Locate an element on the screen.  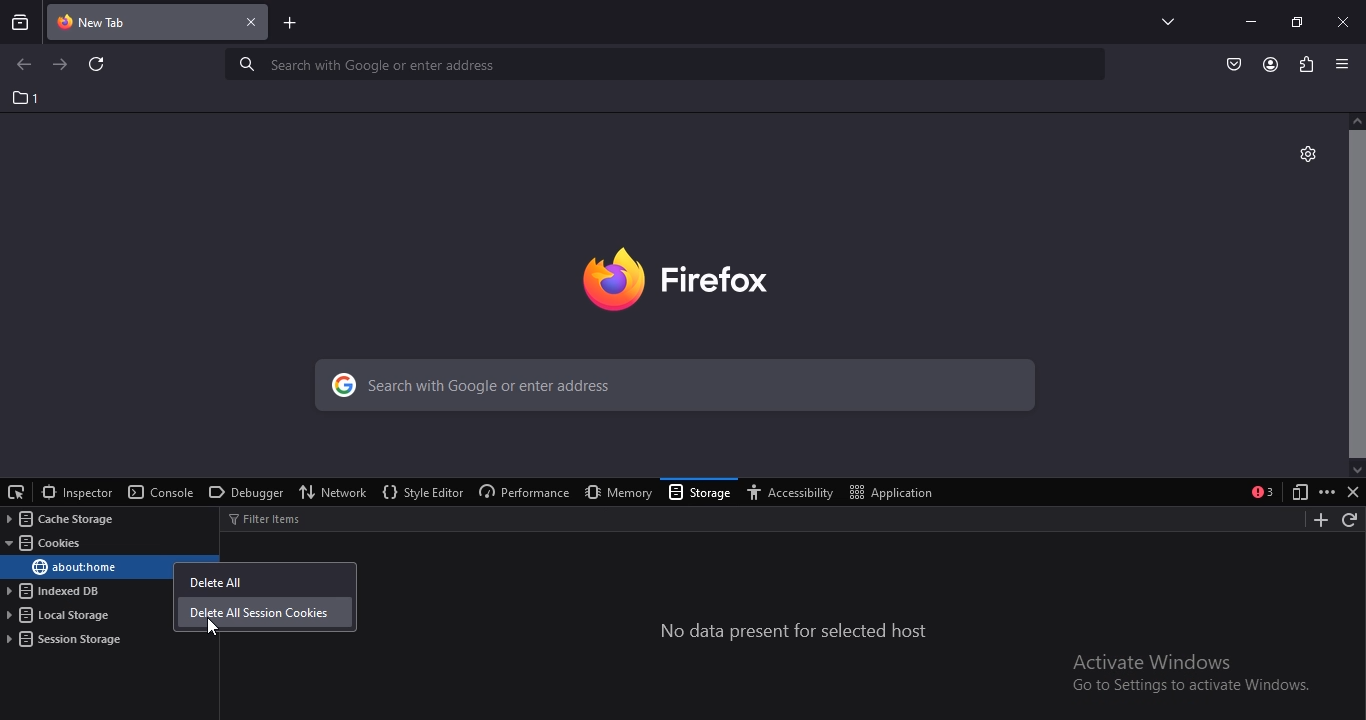
extensions is located at coordinates (1304, 63).